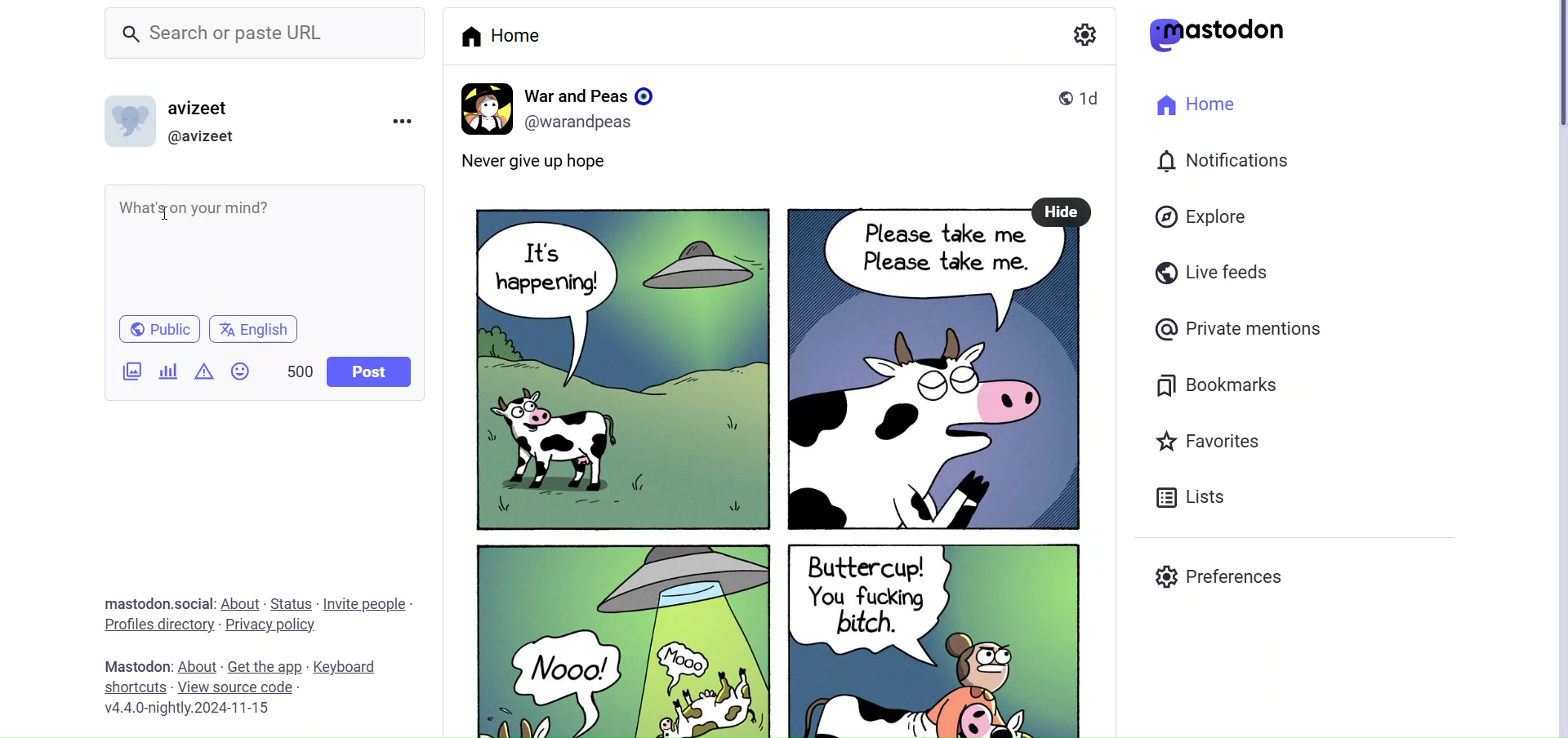 The width and height of the screenshot is (1568, 738). What do you see at coordinates (267, 665) in the screenshot?
I see `Get the App` at bounding box center [267, 665].